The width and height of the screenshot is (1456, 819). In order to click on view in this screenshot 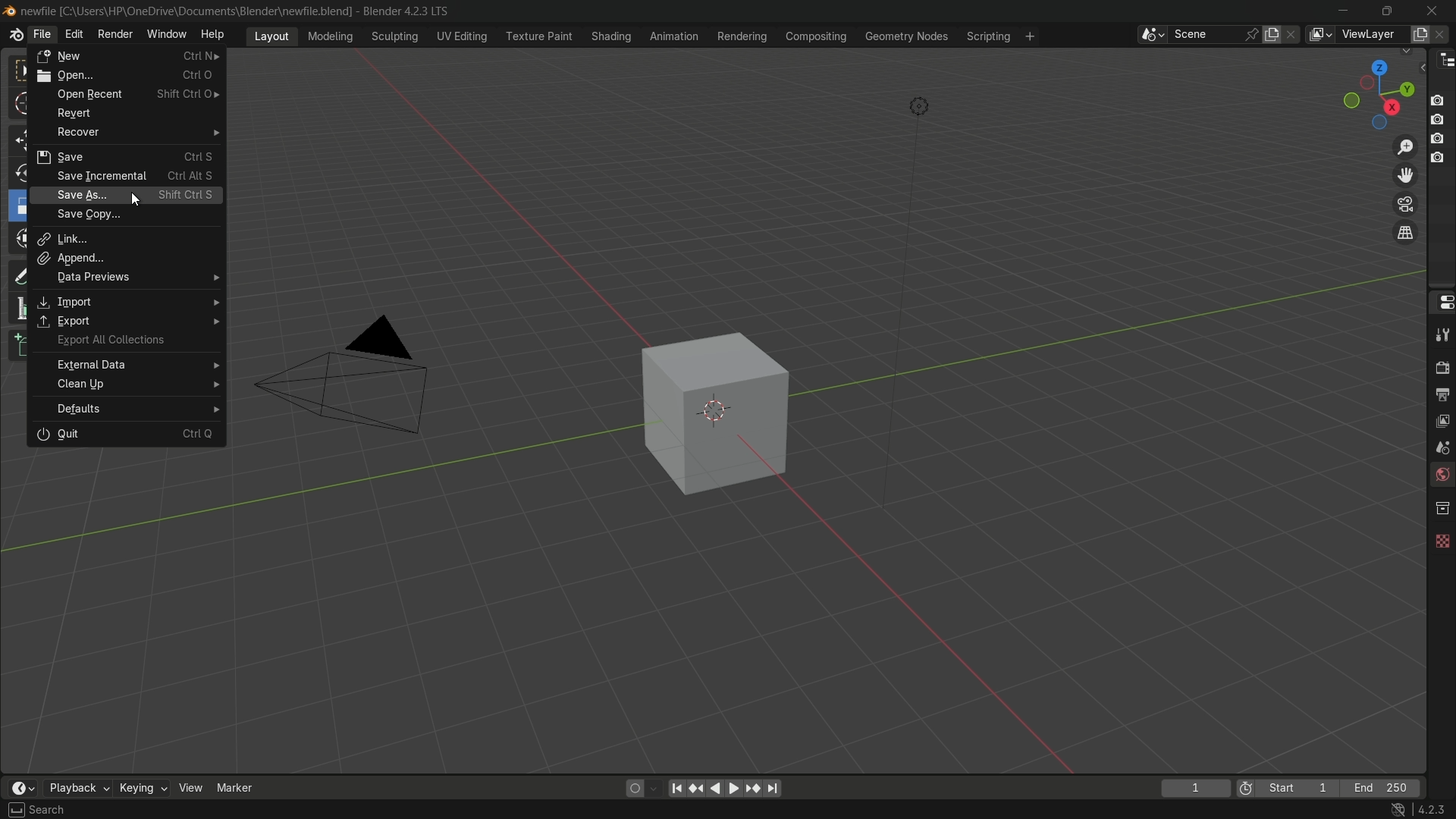, I will do `click(191, 787)`.